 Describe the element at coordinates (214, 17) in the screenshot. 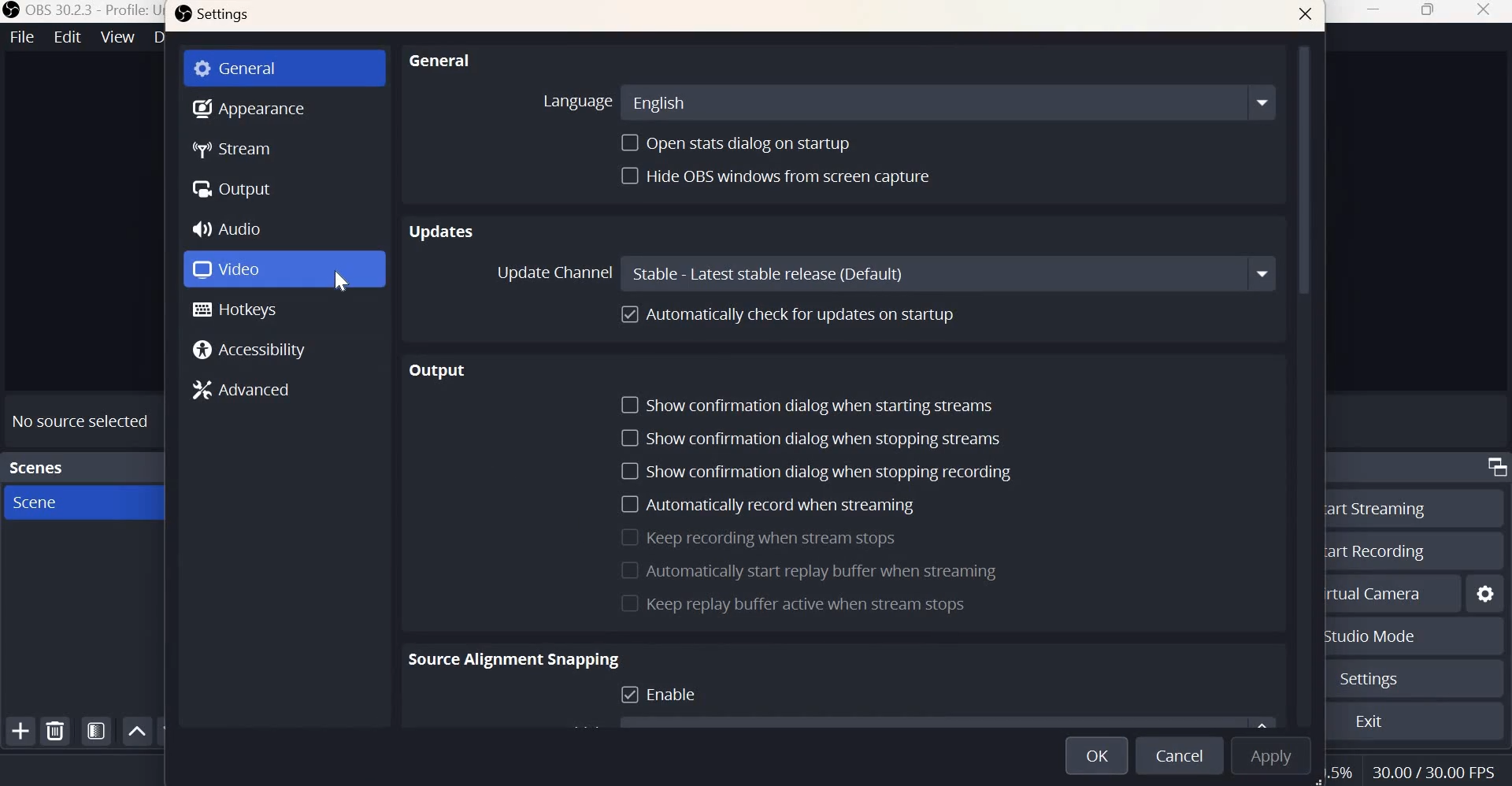

I see `Settings` at that location.